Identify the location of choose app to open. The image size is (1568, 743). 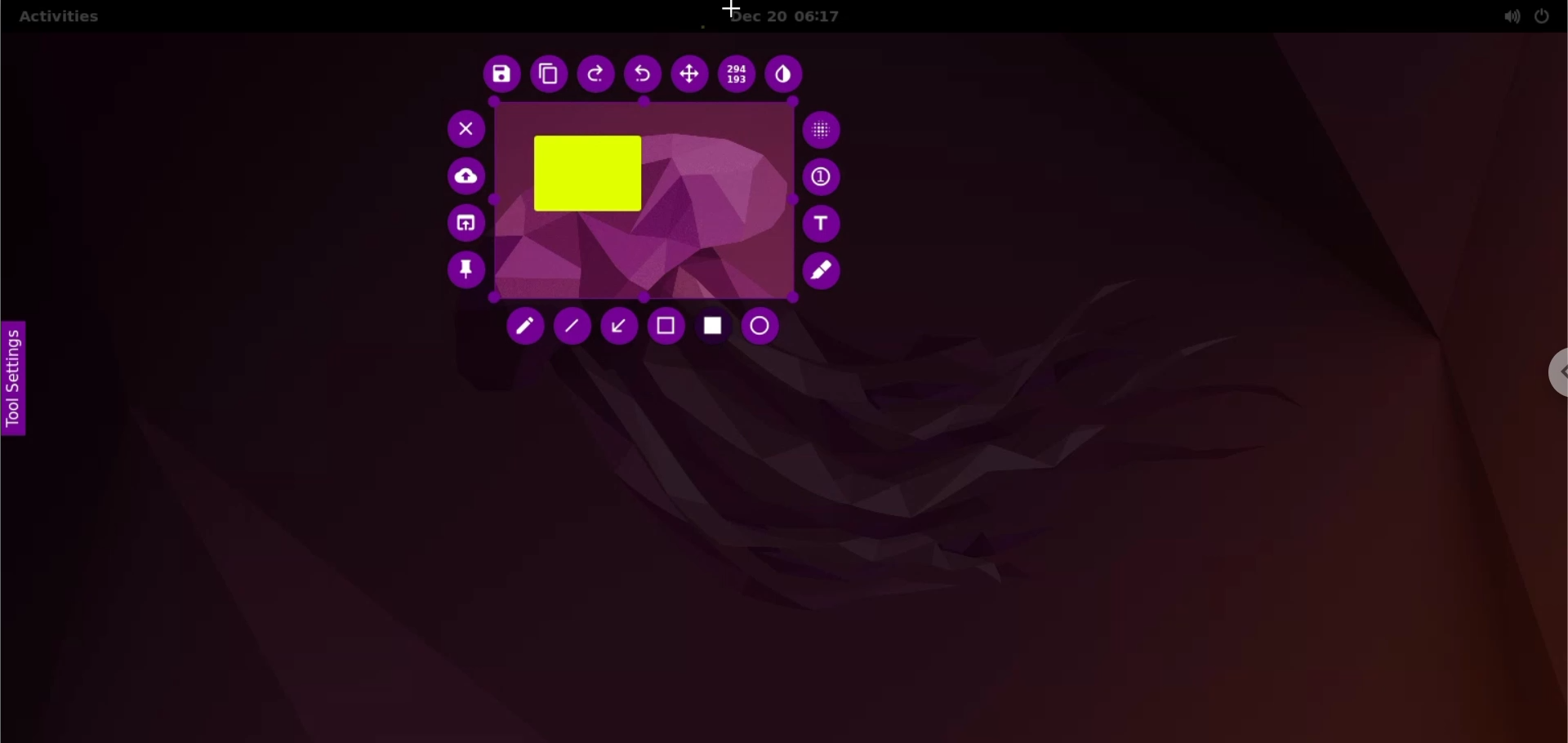
(464, 225).